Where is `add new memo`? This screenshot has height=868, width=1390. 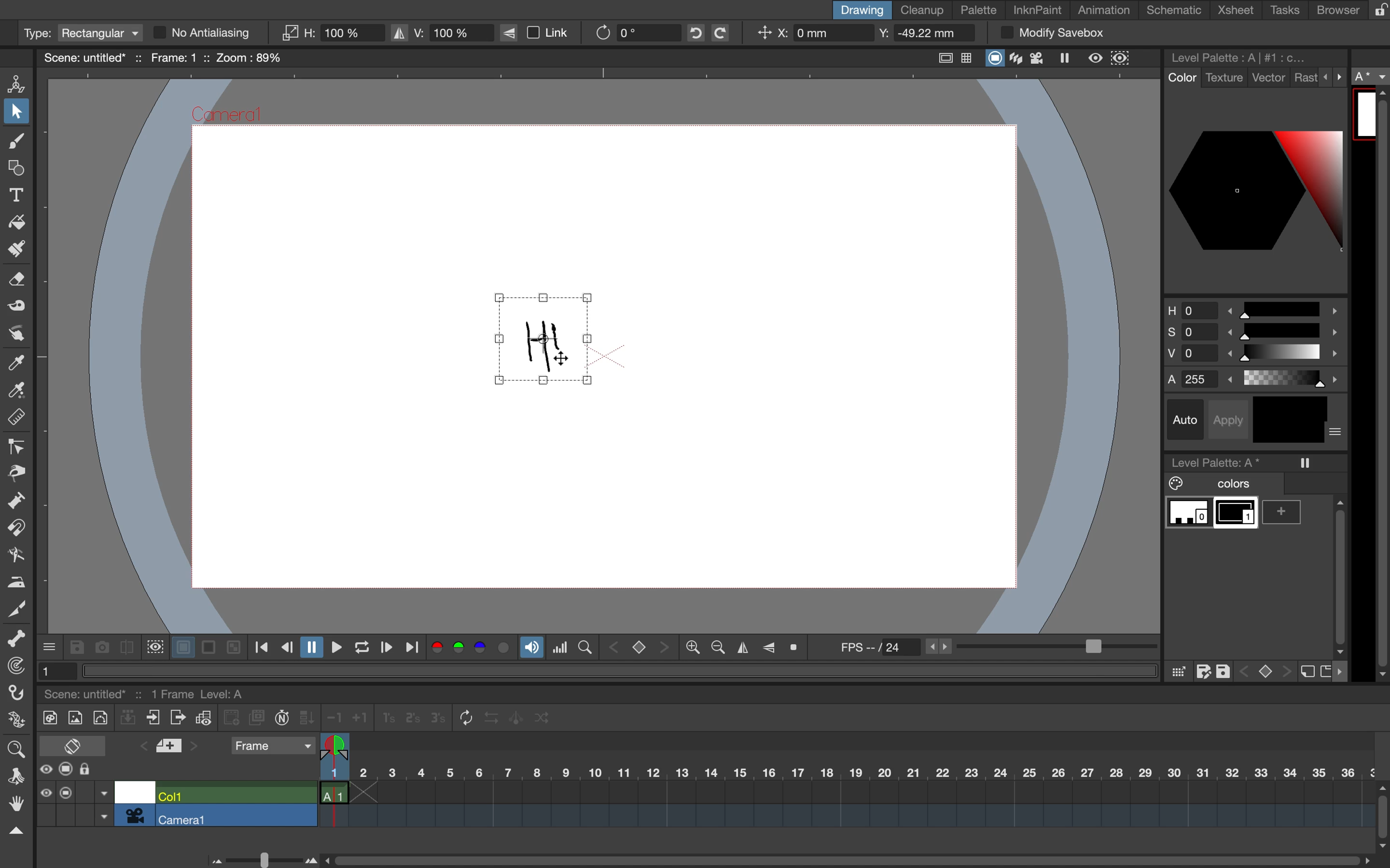
add new memo is located at coordinates (171, 749).